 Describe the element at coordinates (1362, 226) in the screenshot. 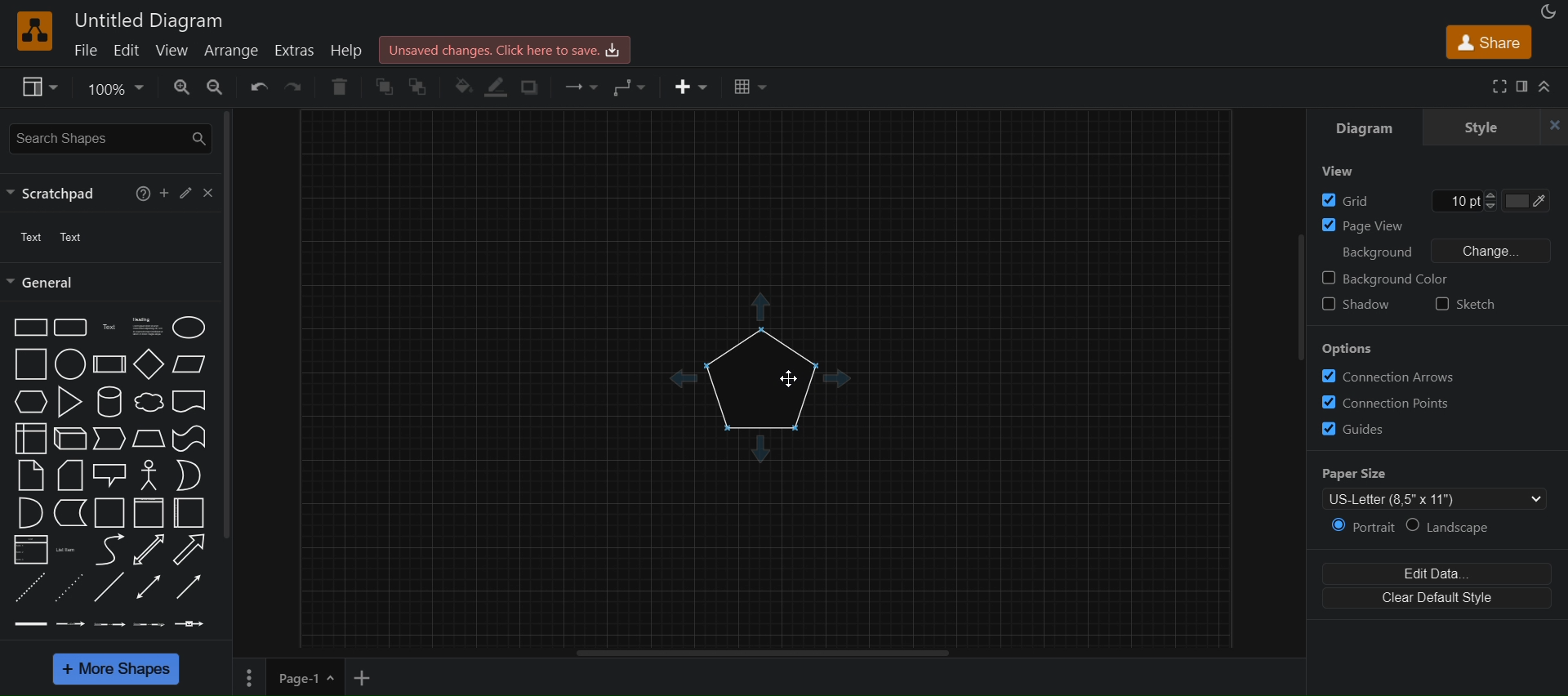

I see `Page view toggle` at that location.